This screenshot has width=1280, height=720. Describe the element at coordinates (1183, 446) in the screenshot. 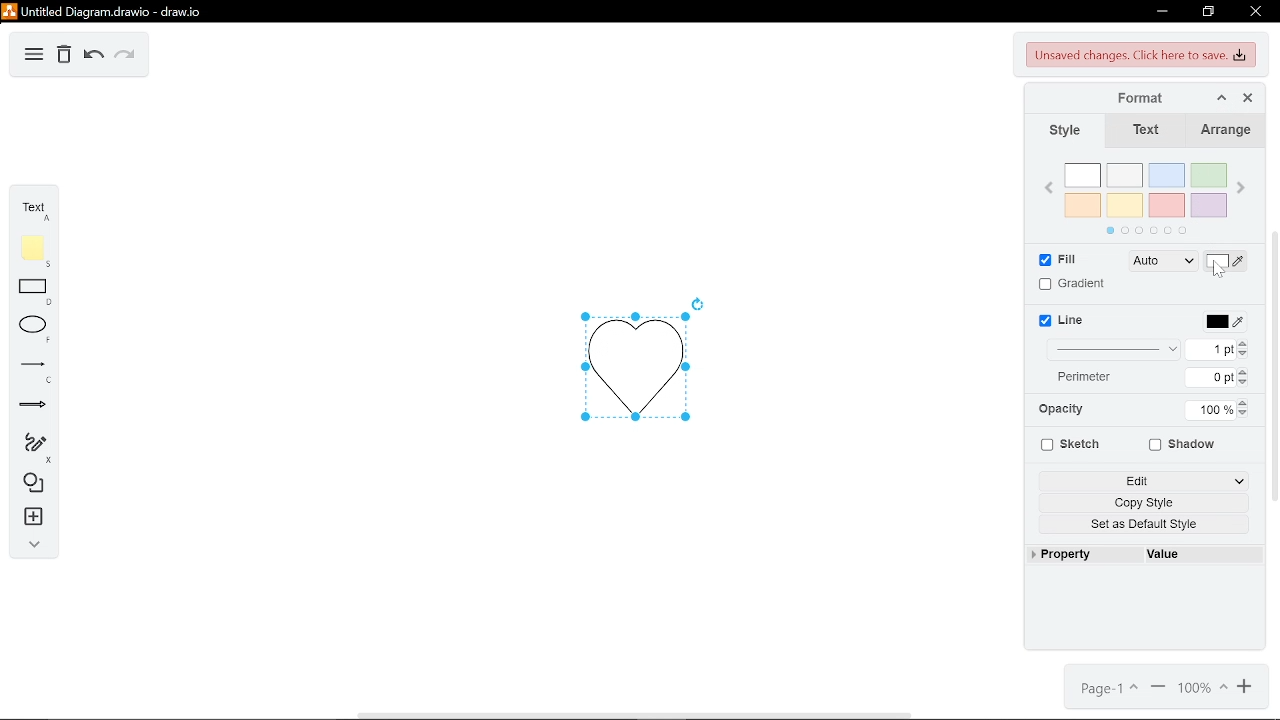

I see `shadow` at that location.